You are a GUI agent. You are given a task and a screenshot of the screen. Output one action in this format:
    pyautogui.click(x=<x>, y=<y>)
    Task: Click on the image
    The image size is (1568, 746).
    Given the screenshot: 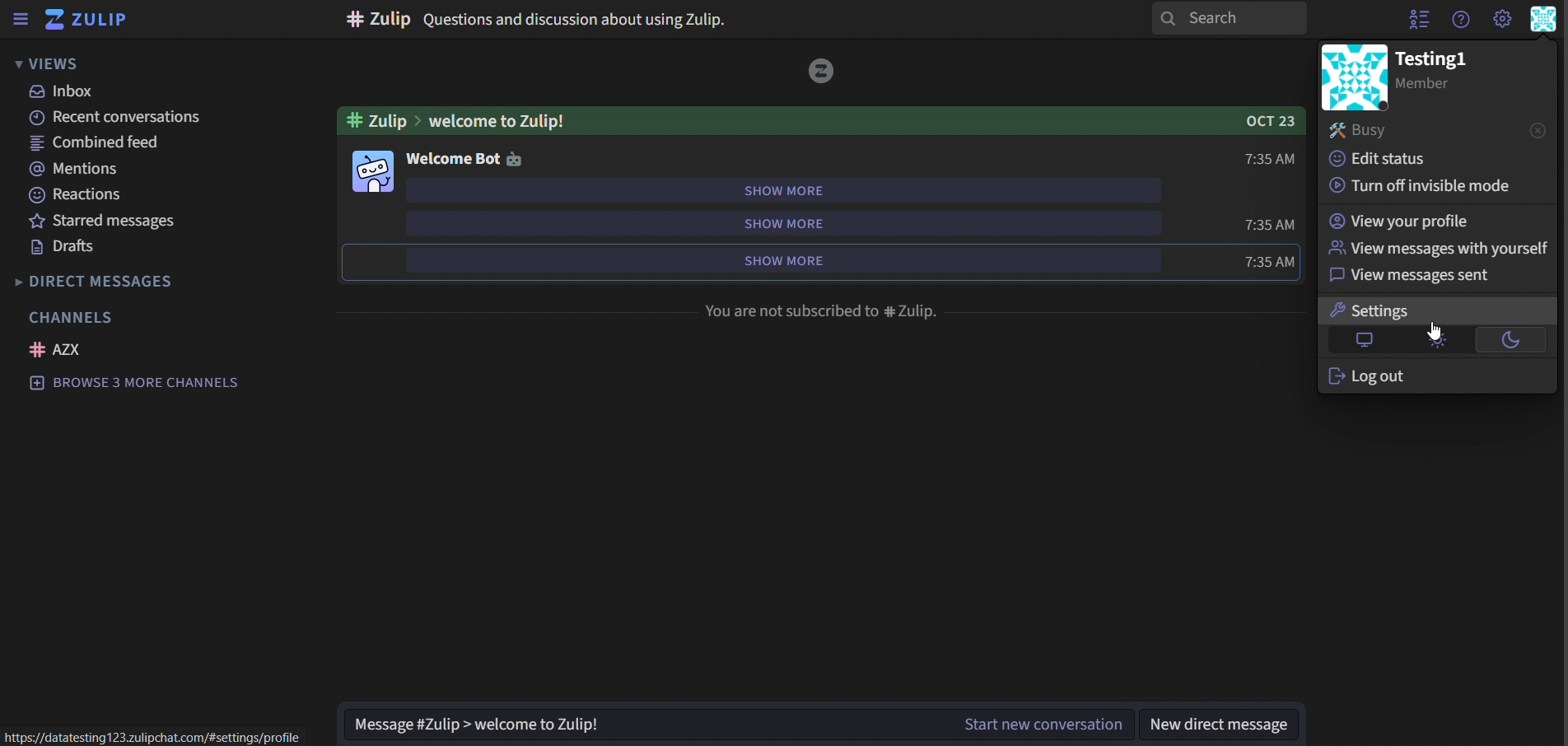 What is the action you would take?
    pyautogui.click(x=825, y=73)
    